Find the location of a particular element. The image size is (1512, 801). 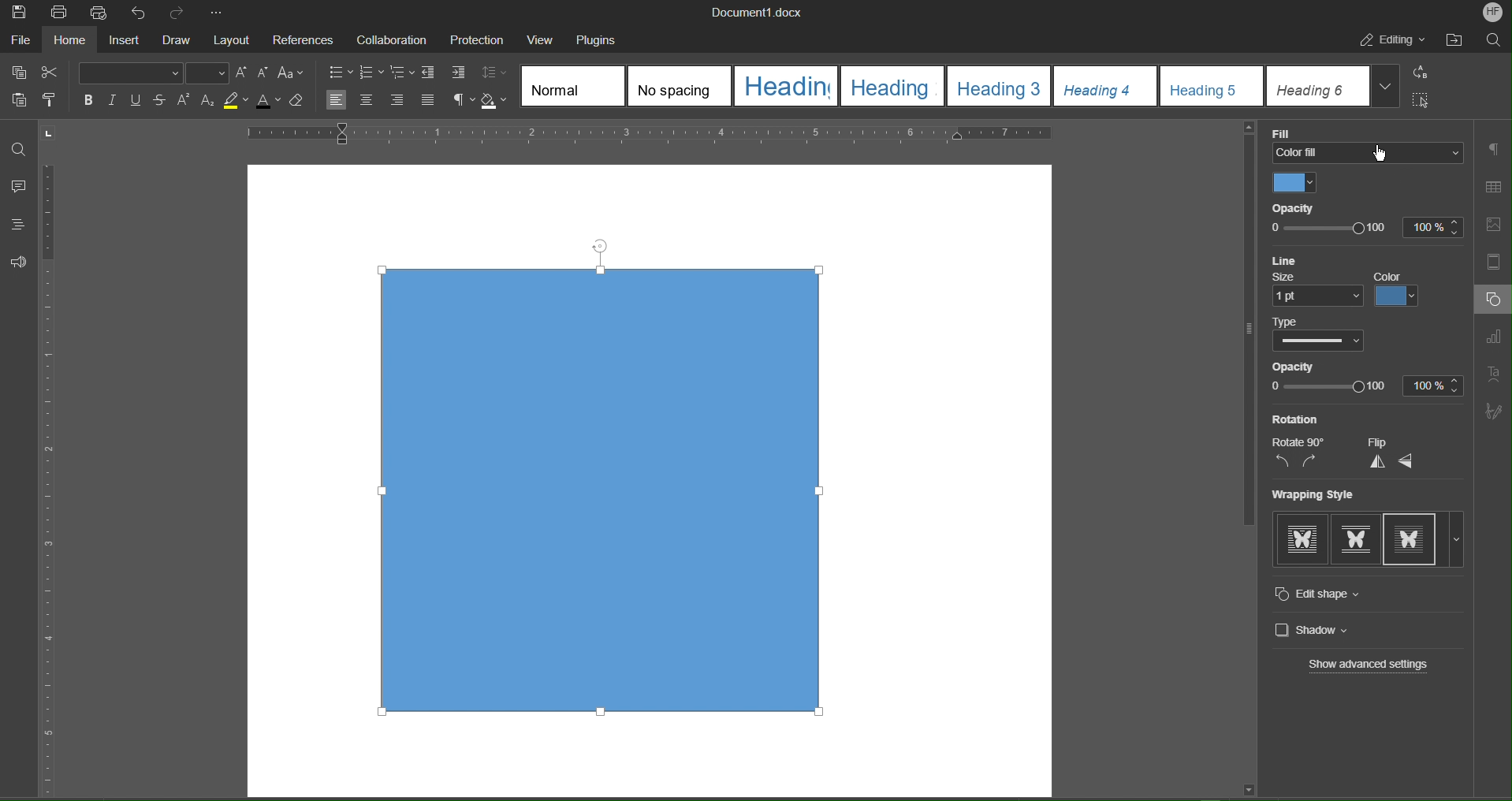

Redo is located at coordinates (177, 12).